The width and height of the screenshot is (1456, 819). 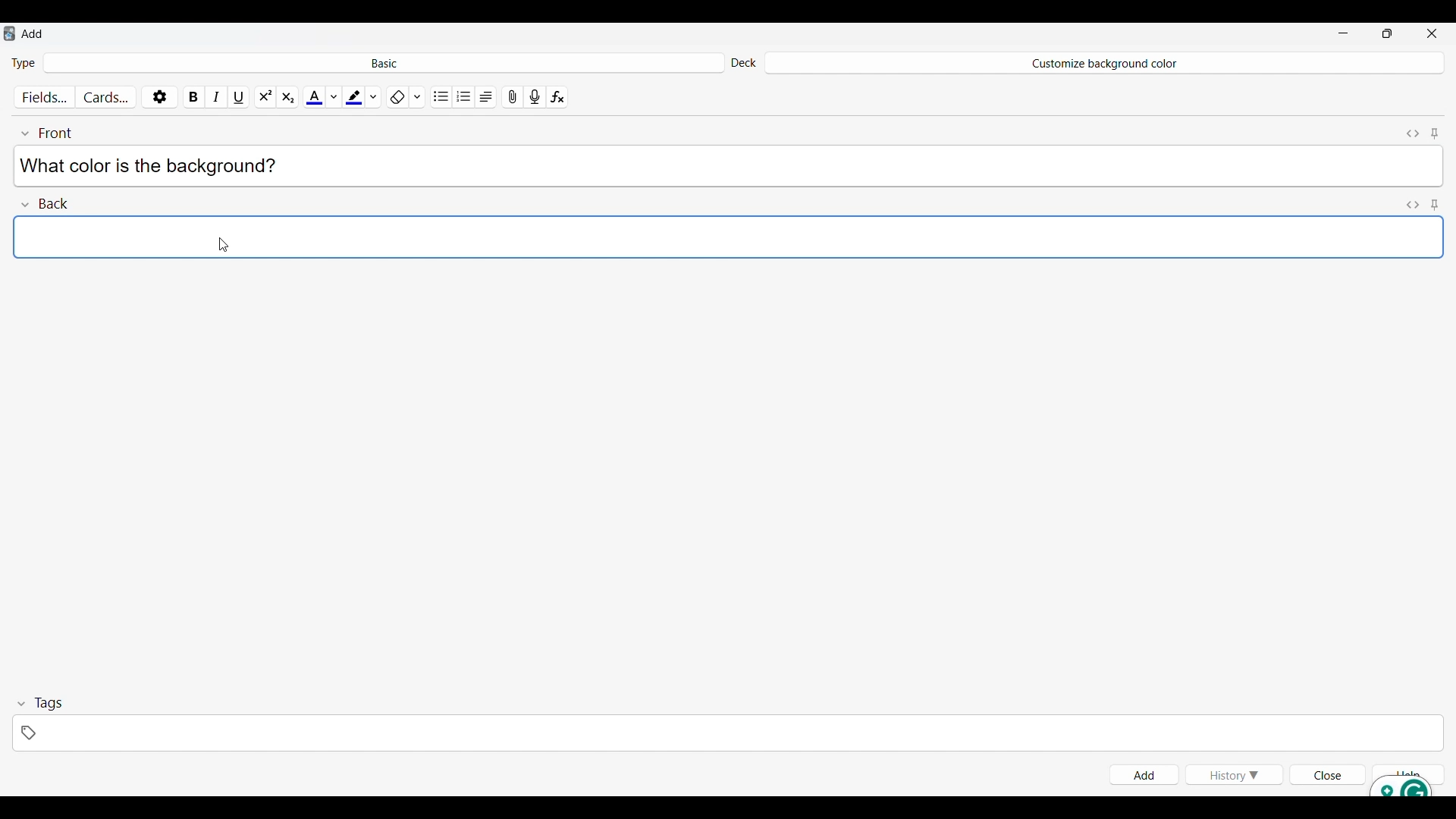 I want to click on Ordered list, so click(x=464, y=95).